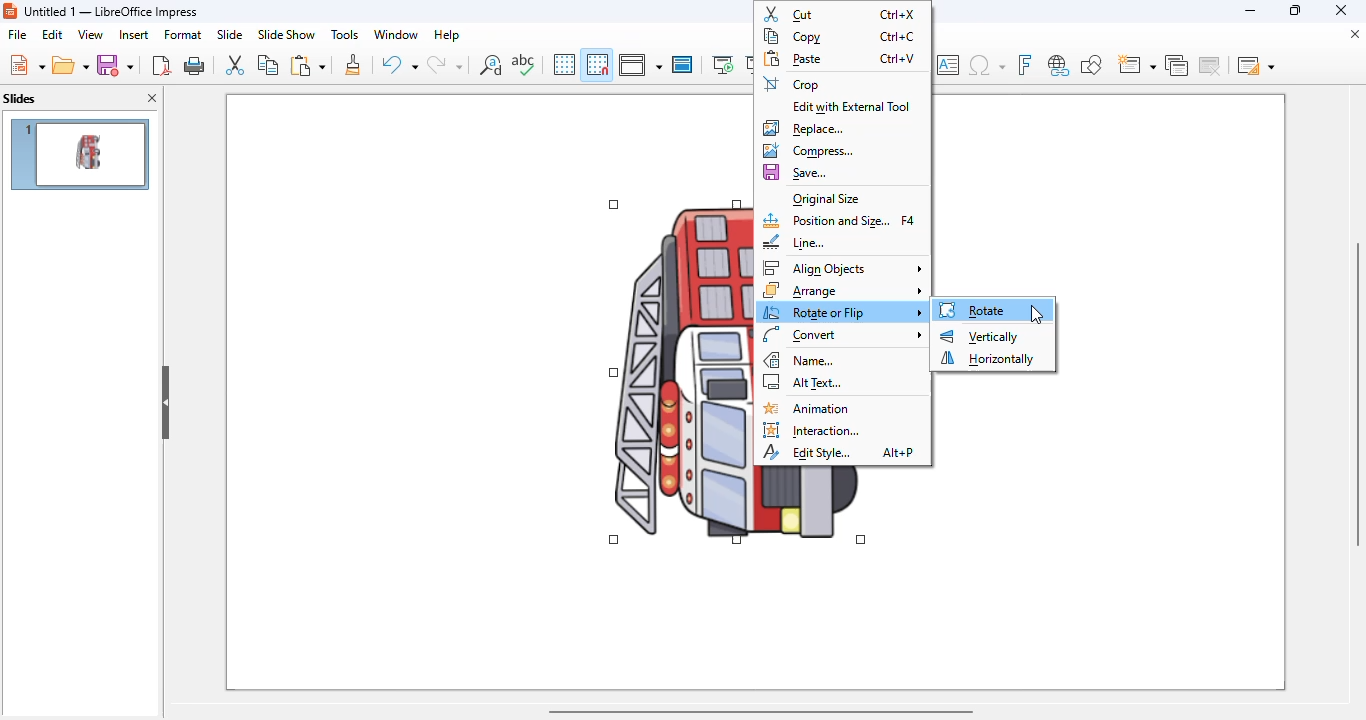  Describe the element at coordinates (683, 64) in the screenshot. I see `master slide` at that location.